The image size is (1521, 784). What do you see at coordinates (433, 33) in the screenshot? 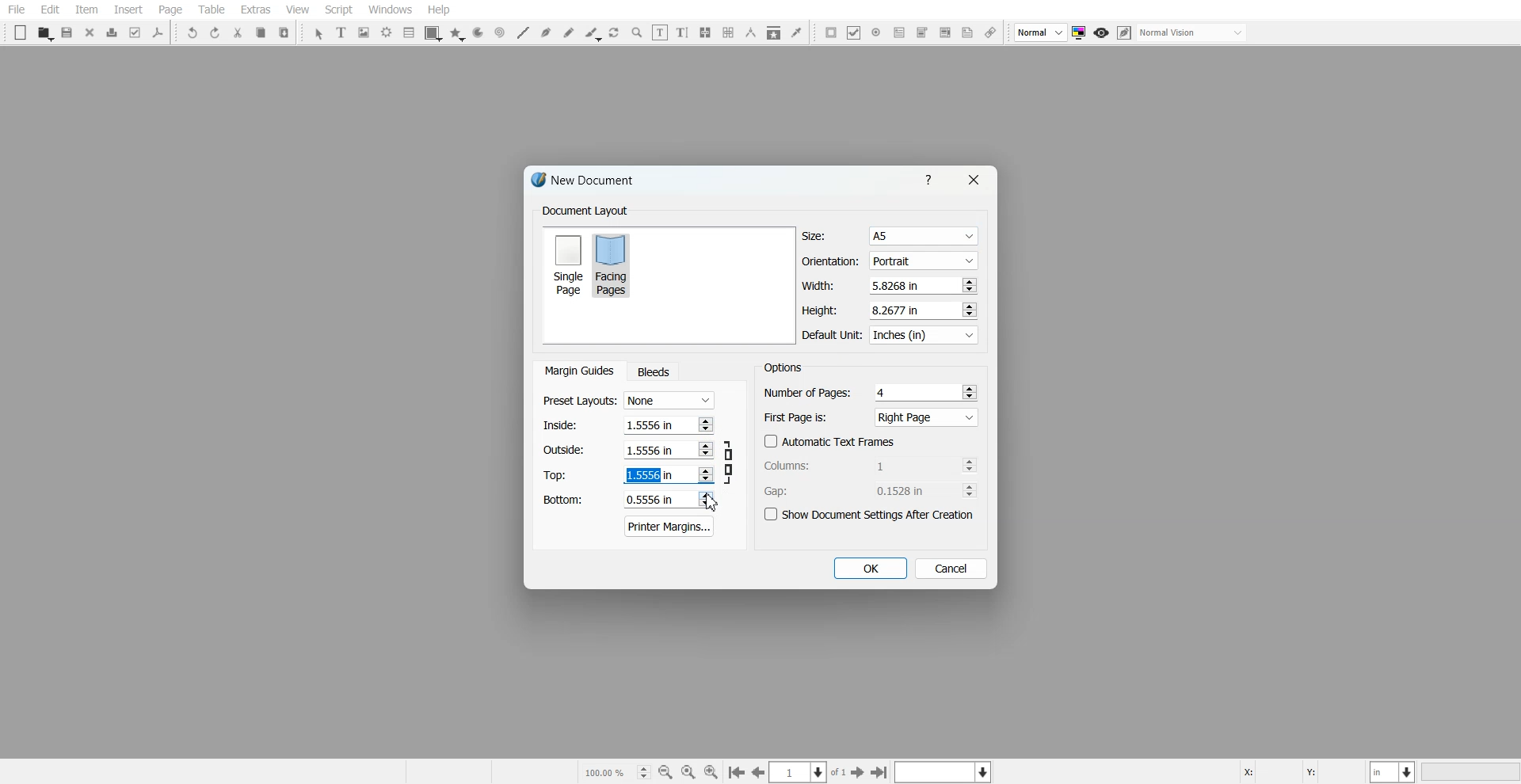
I see `Shape` at bounding box center [433, 33].